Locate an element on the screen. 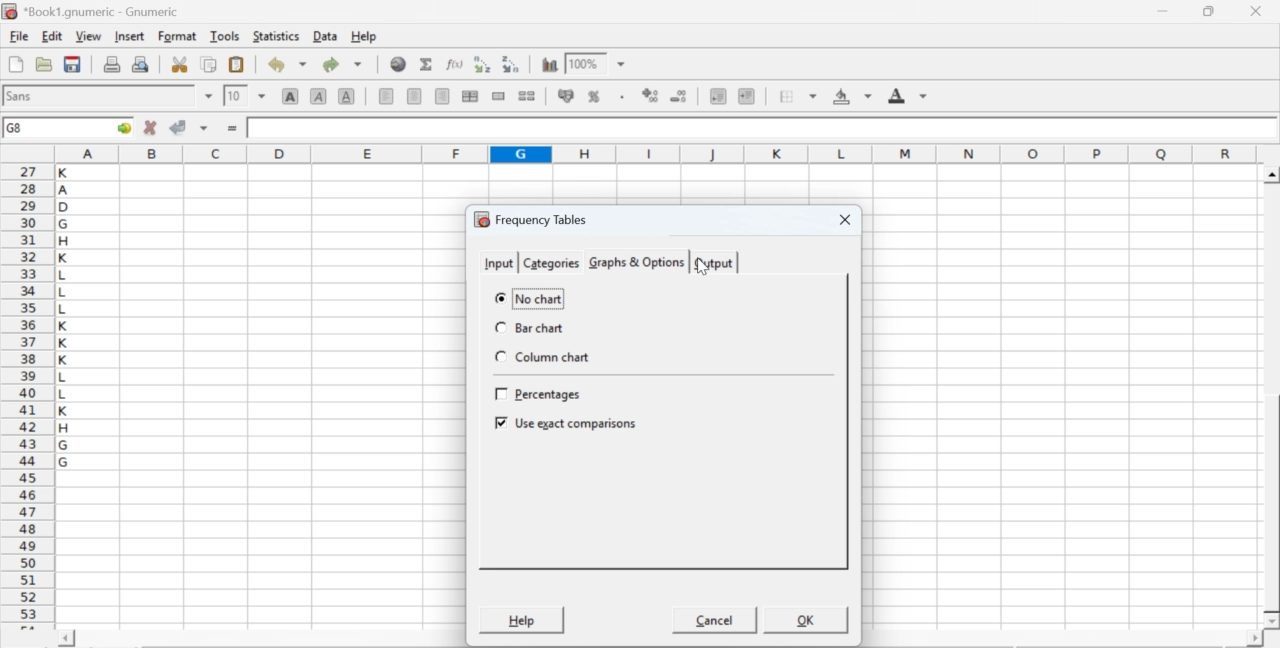 This screenshot has height=648, width=1280. edit function in current cell is located at coordinates (456, 63).